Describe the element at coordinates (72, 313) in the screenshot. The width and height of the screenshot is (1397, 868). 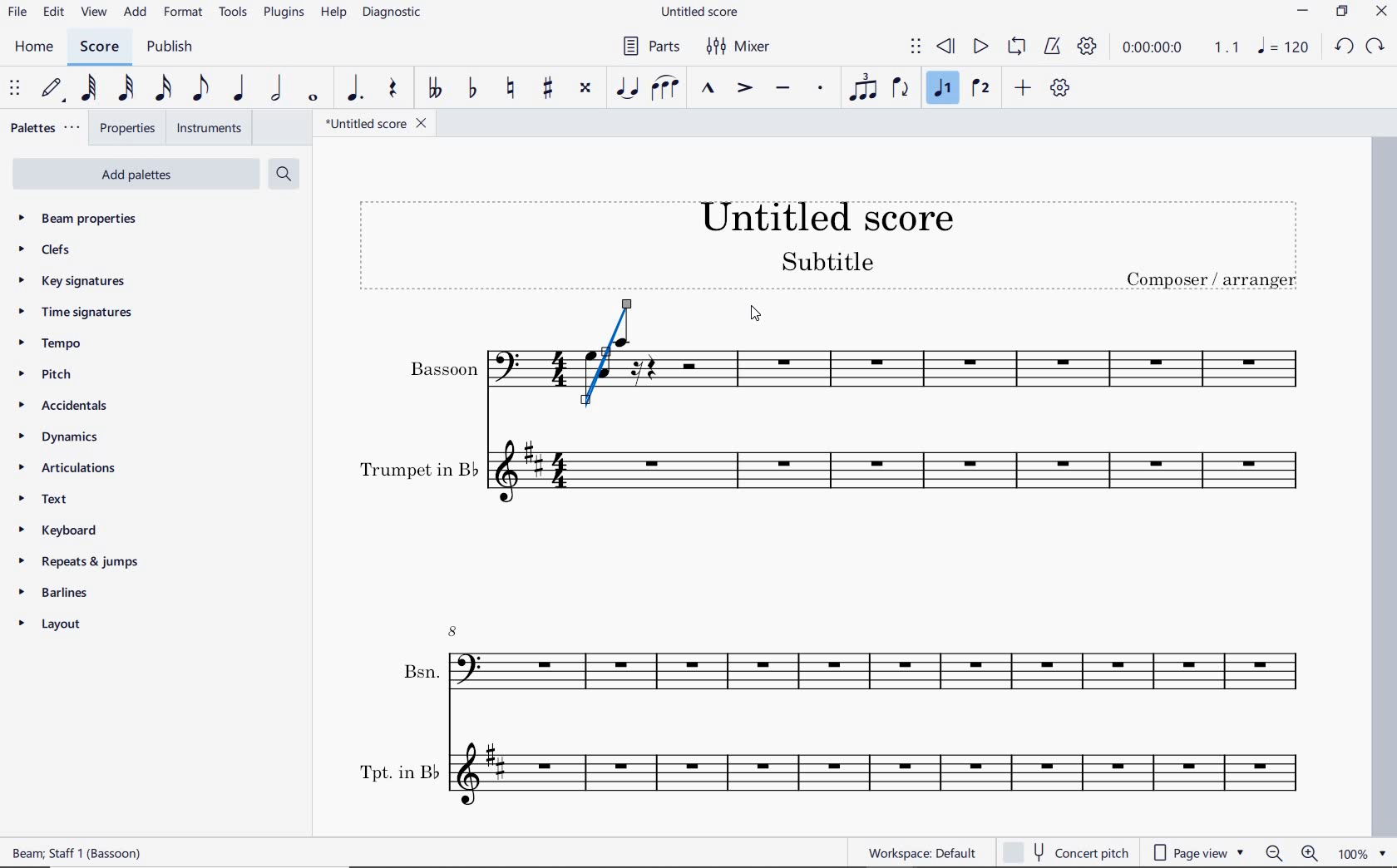
I see `time signatures` at that location.